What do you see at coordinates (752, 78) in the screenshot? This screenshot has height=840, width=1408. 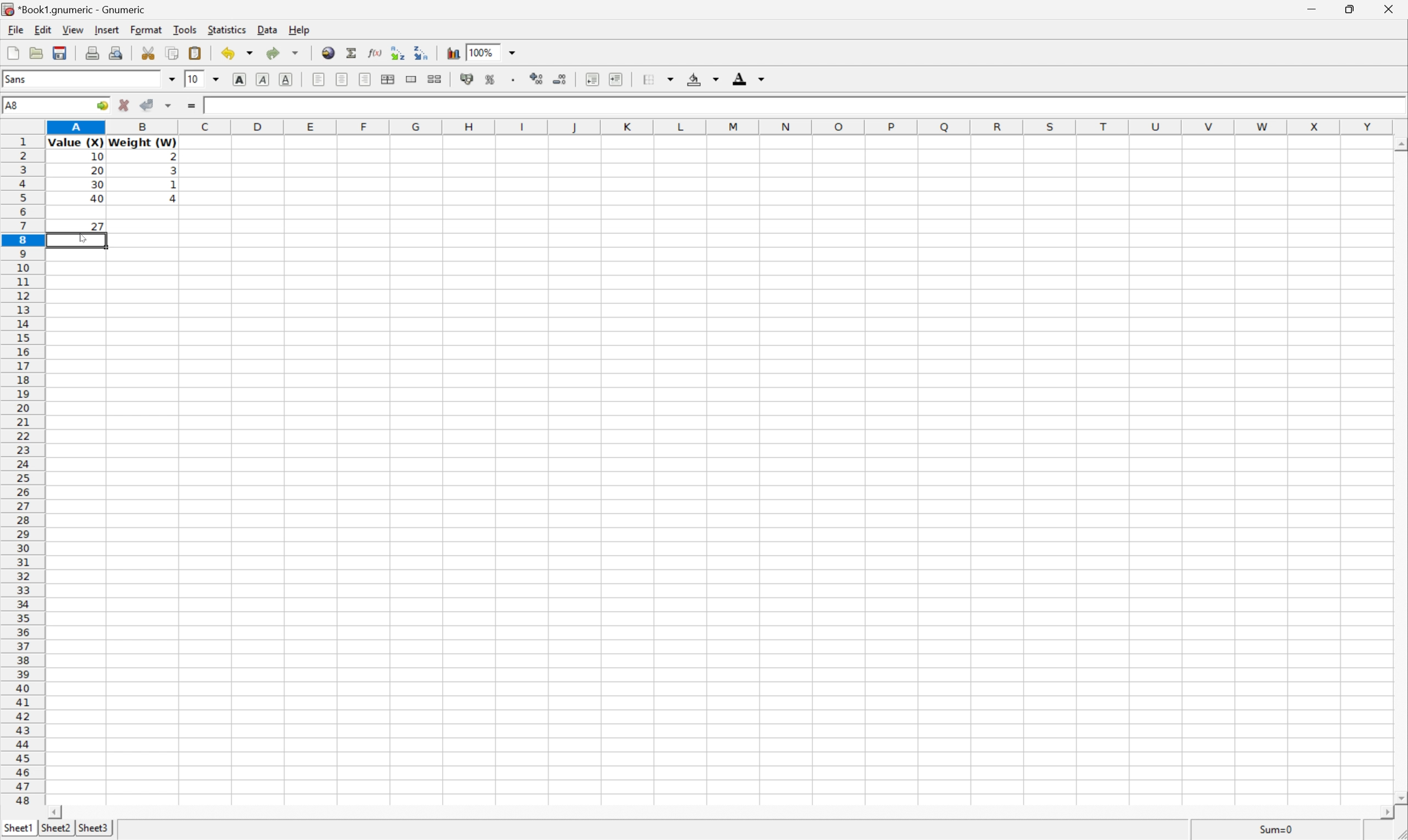 I see `Foreground` at bounding box center [752, 78].